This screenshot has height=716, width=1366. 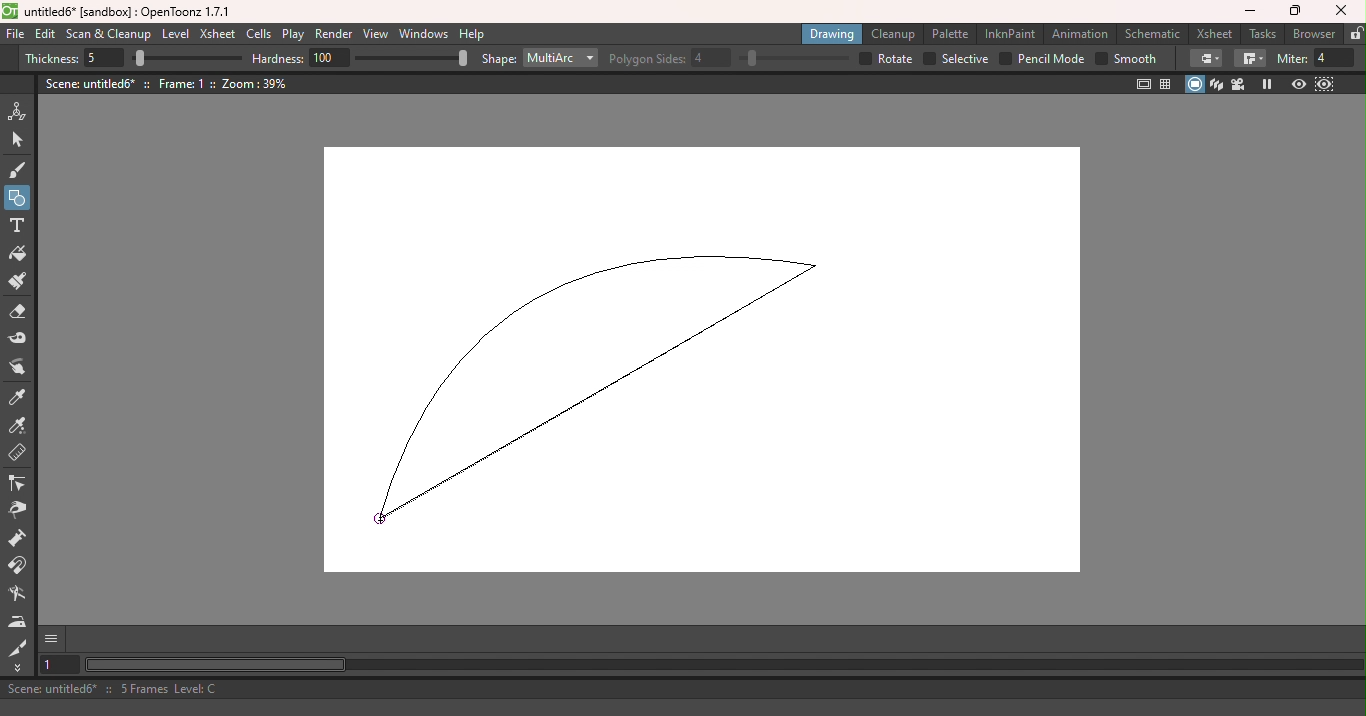 I want to click on File, so click(x=15, y=35).